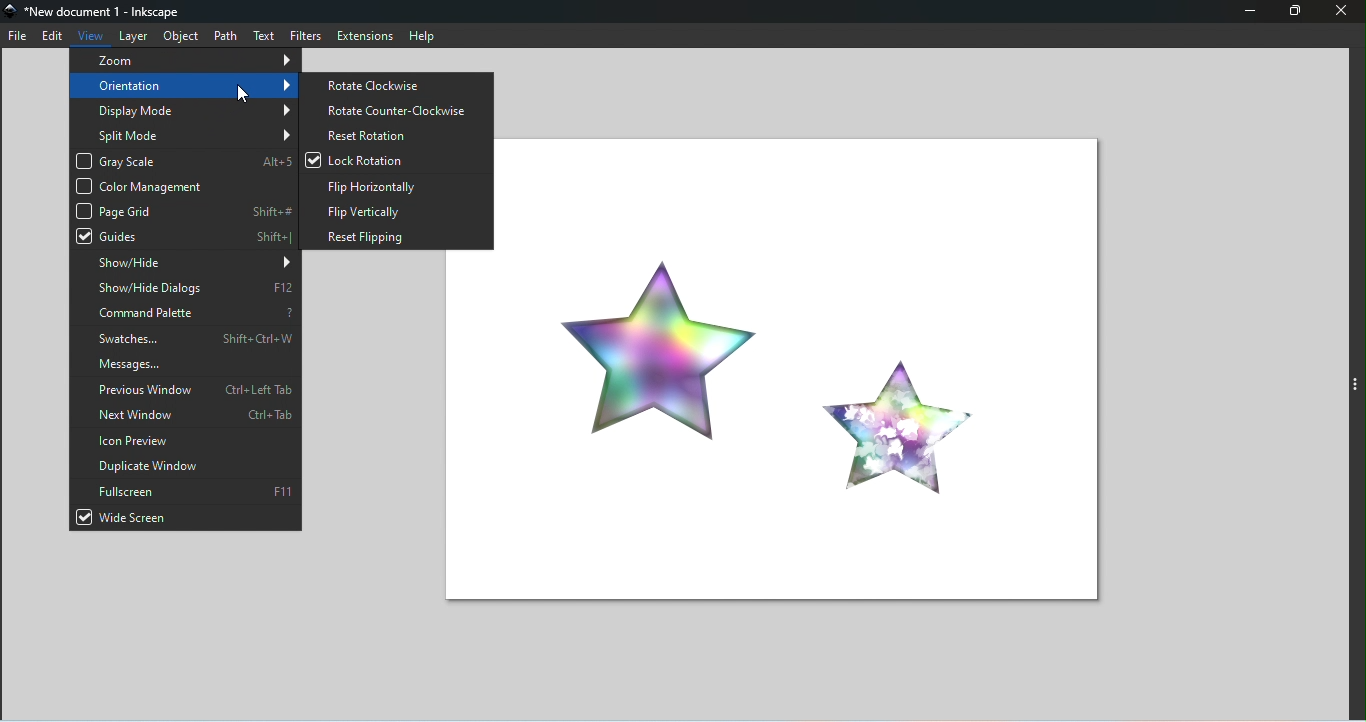 This screenshot has height=722, width=1366. I want to click on Path, so click(226, 35).